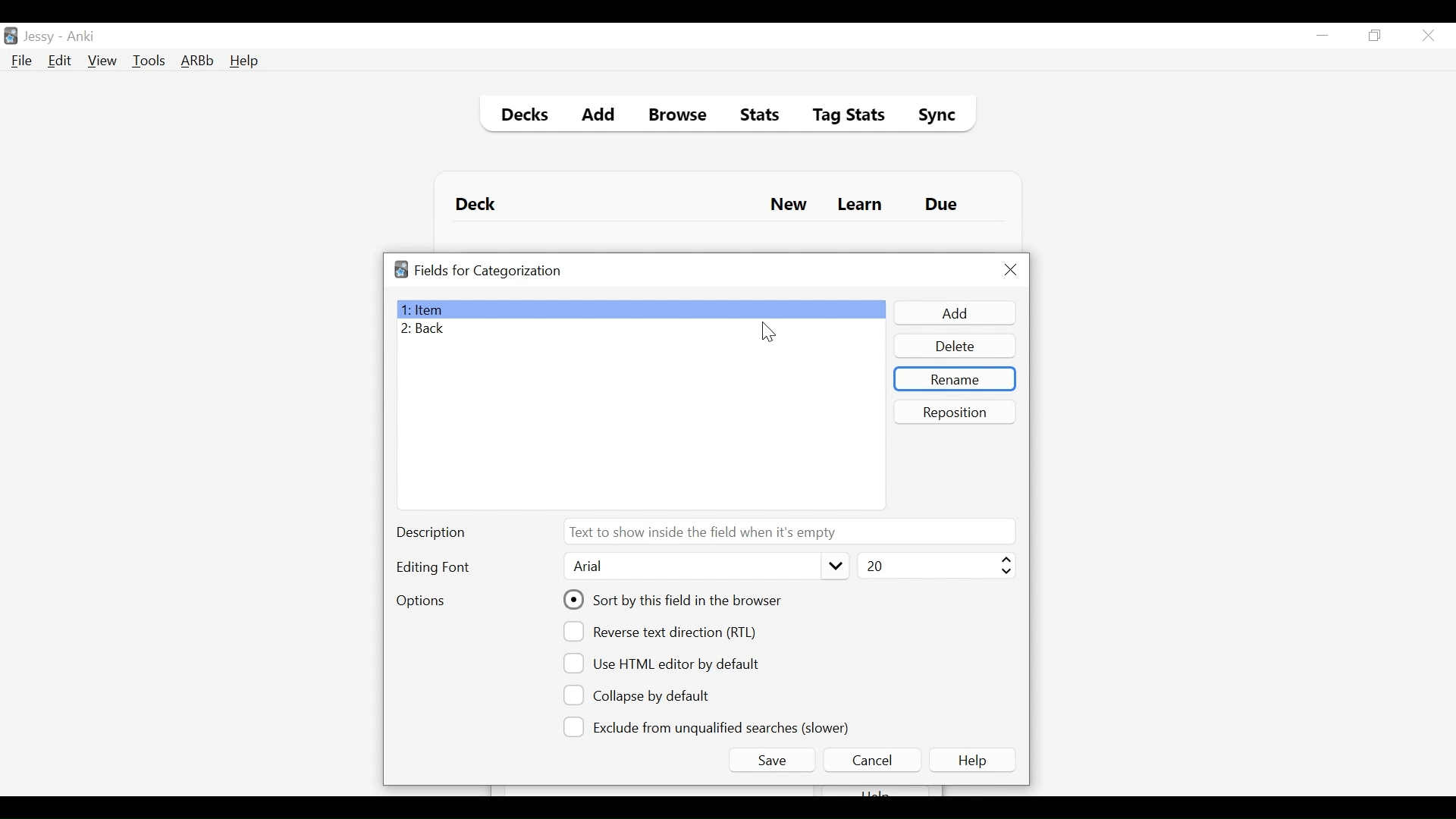 The height and width of the screenshot is (819, 1456). Describe the element at coordinates (709, 726) in the screenshot. I see `(un)select Exclude from unqualified searches` at that location.